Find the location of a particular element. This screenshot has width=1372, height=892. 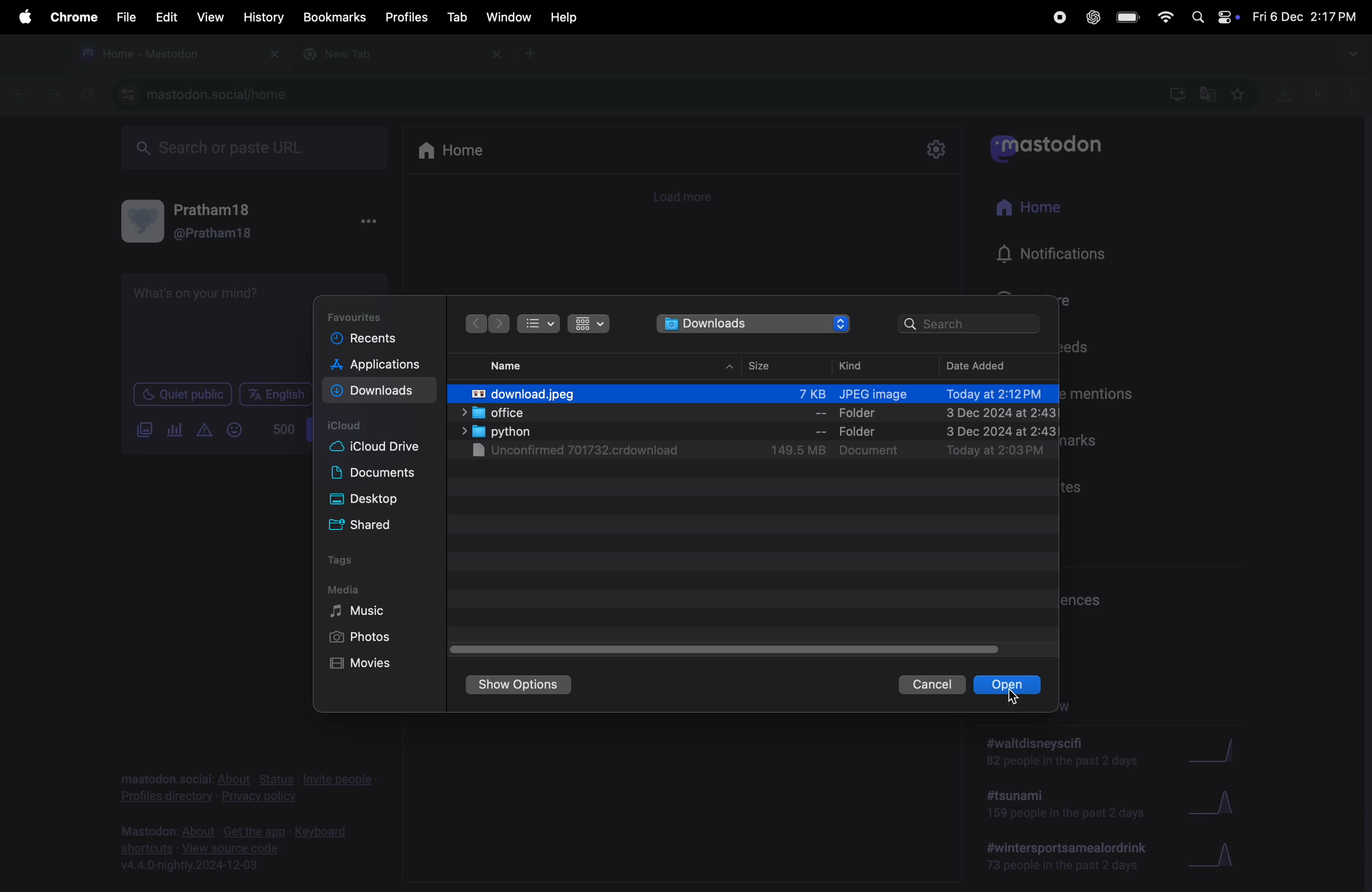

unkownn download is located at coordinates (760, 452).